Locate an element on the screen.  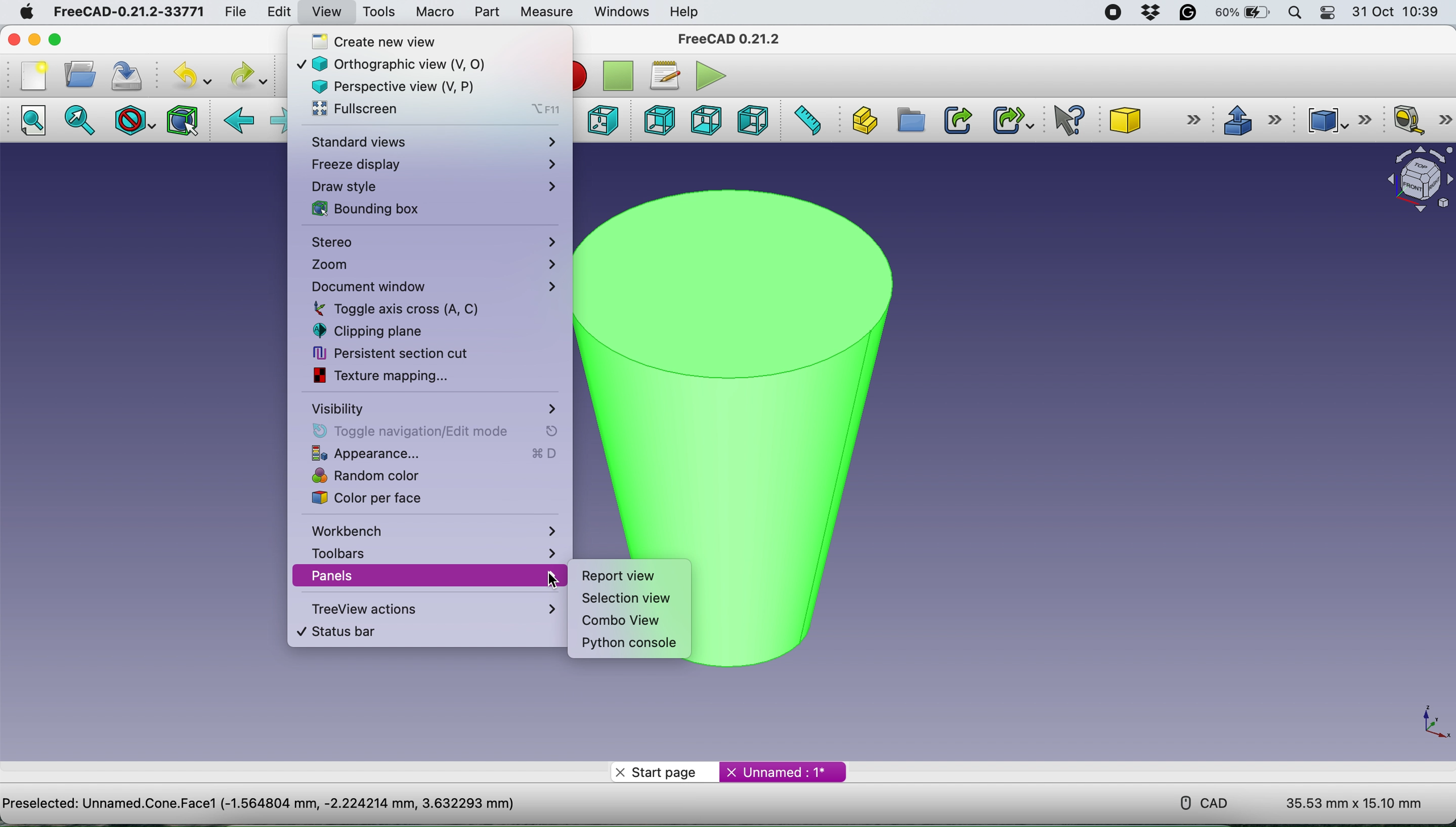
freeze display is located at coordinates (432, 164).